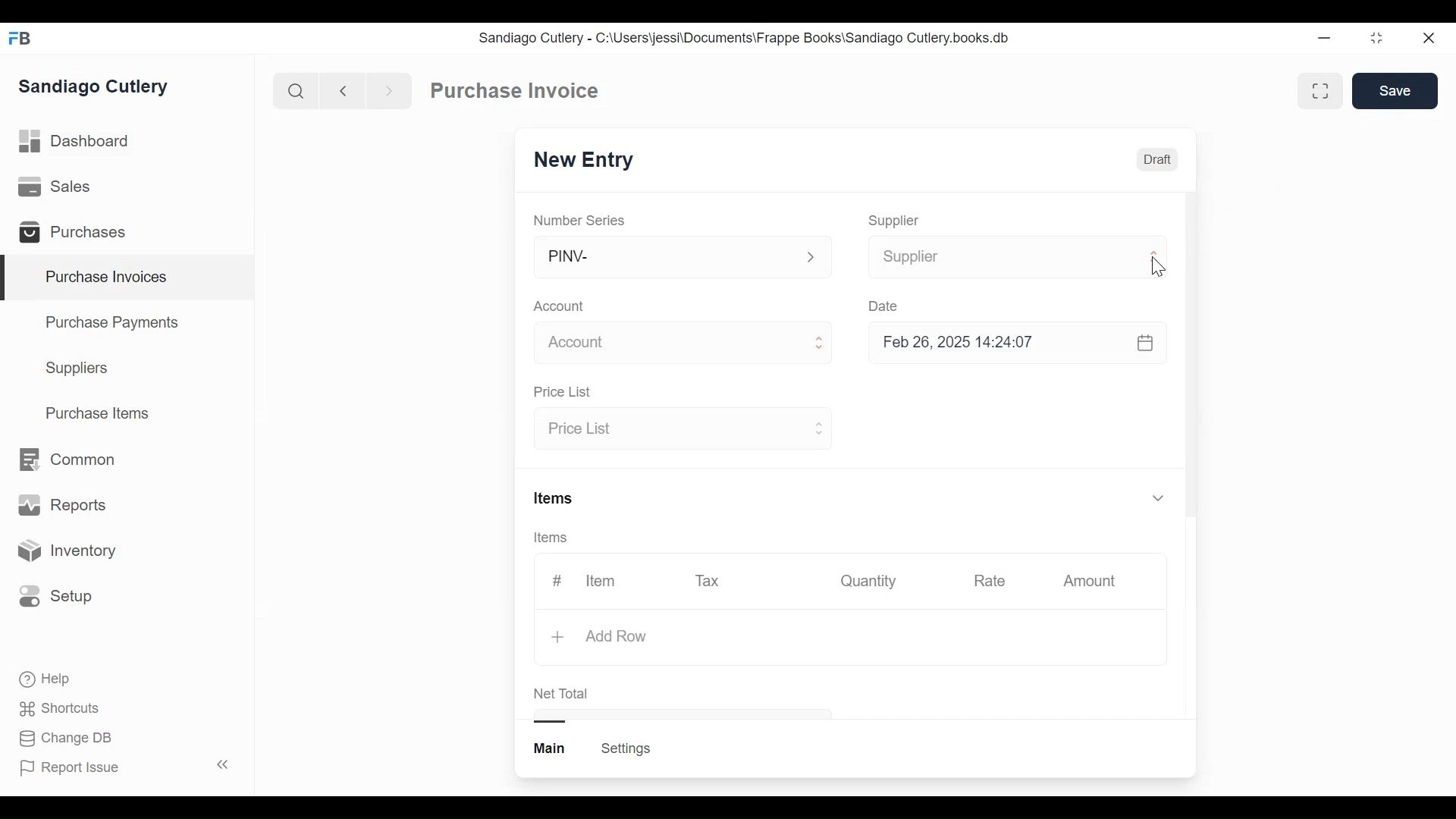 Image resolution: width=1456 pixels, height=819 pixels. I want to click on Common, so click(65, 460).